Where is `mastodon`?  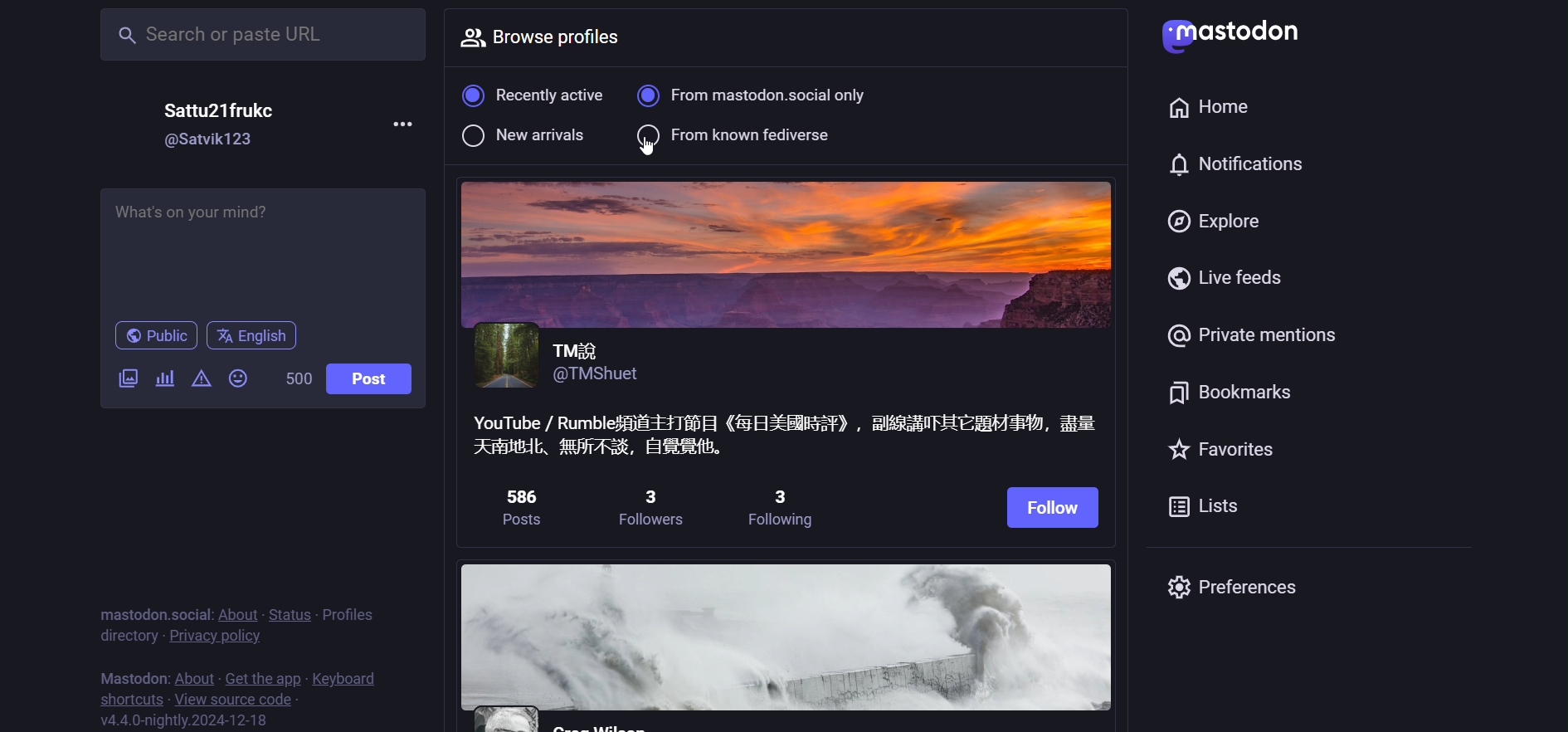 mastodon is located at coordinates (1242, 35).